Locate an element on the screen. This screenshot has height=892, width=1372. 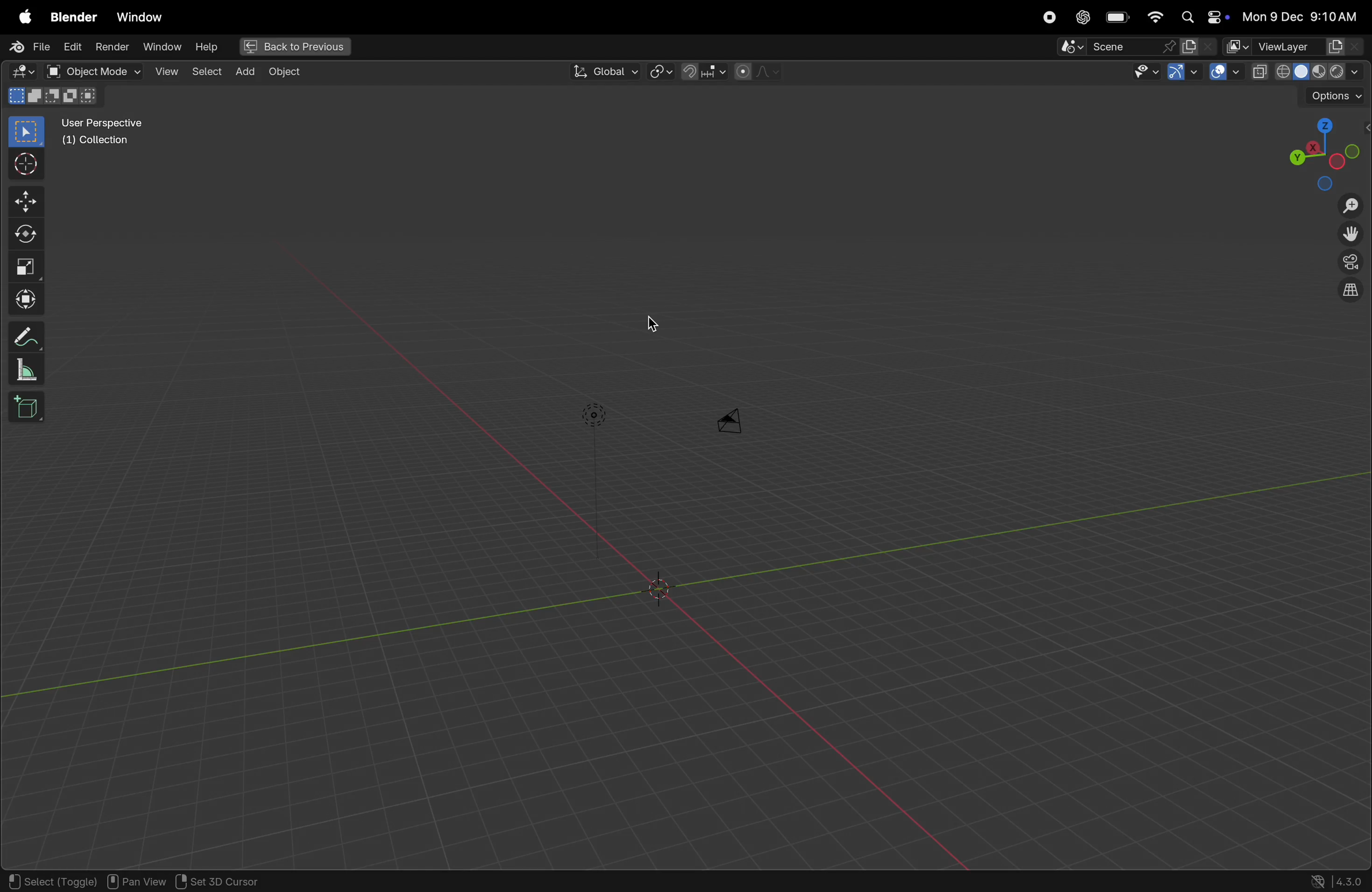
date and time is located at coordinates (1304, 16).